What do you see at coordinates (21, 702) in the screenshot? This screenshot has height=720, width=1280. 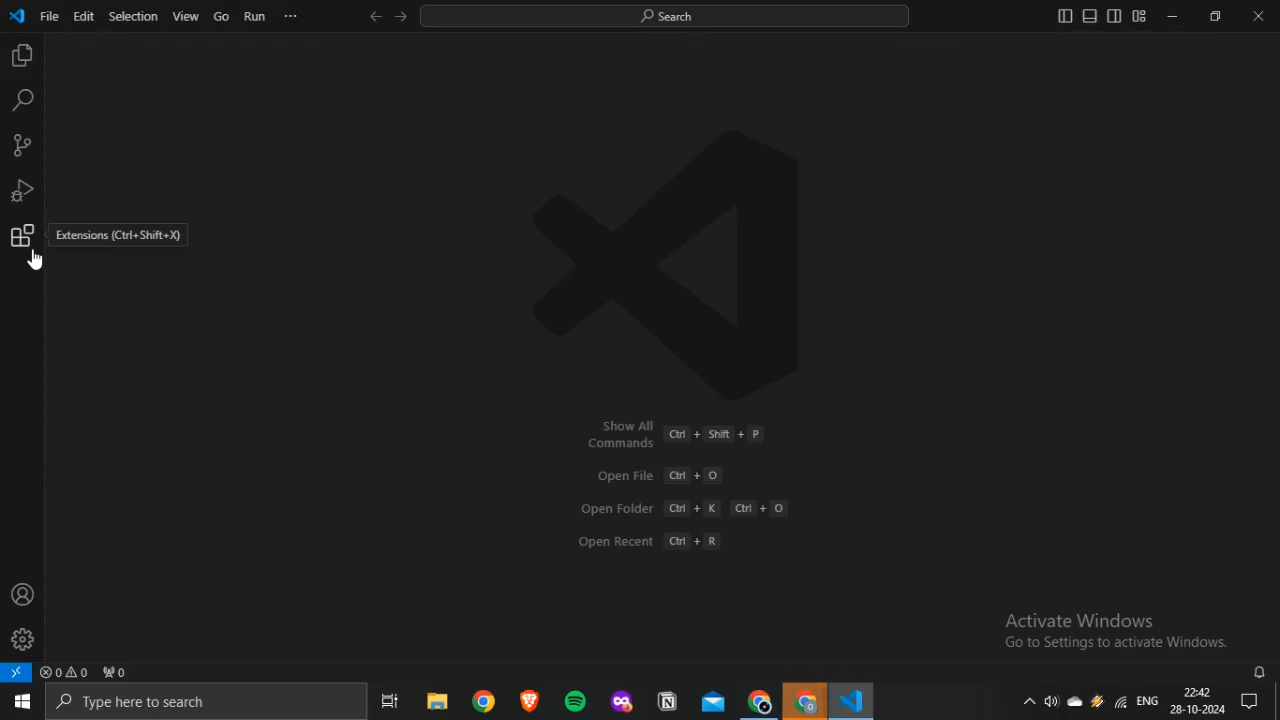 I see `start` at bounding box center [21, 702].